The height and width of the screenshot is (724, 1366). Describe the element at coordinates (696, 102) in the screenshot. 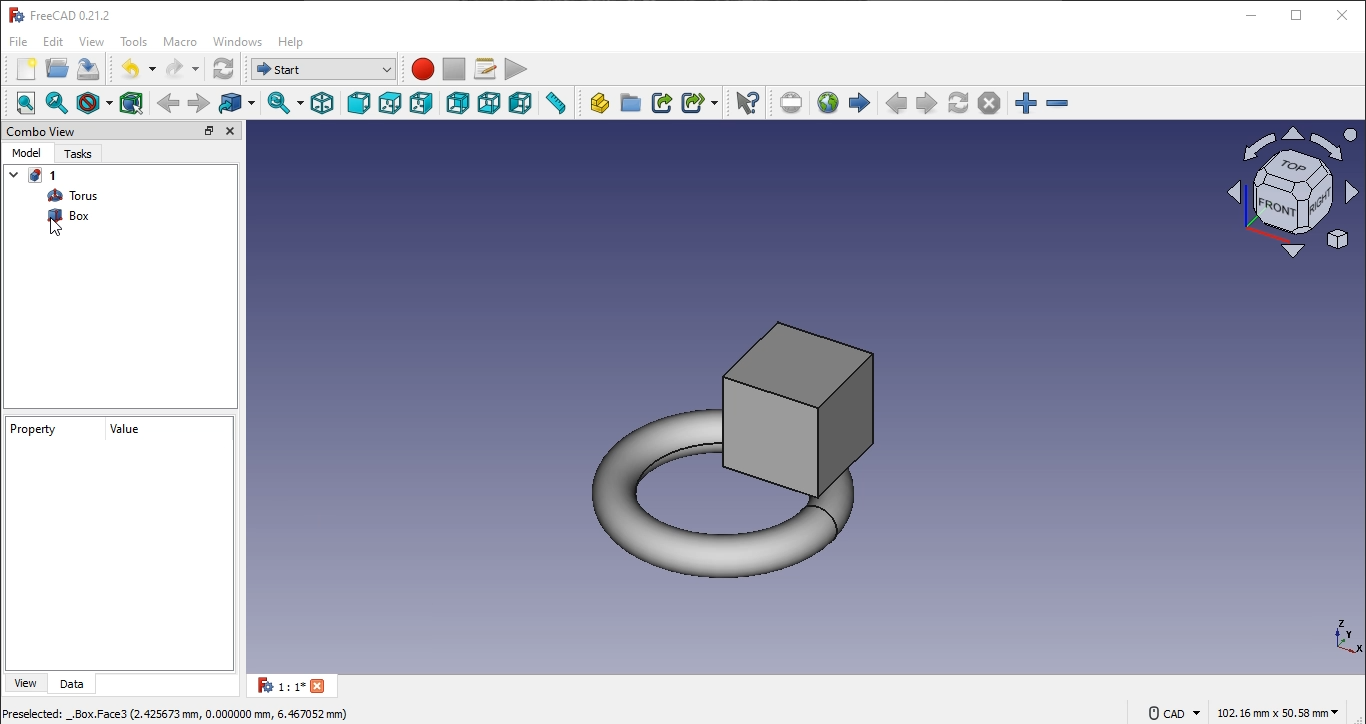

I see `make sublink` at that location.